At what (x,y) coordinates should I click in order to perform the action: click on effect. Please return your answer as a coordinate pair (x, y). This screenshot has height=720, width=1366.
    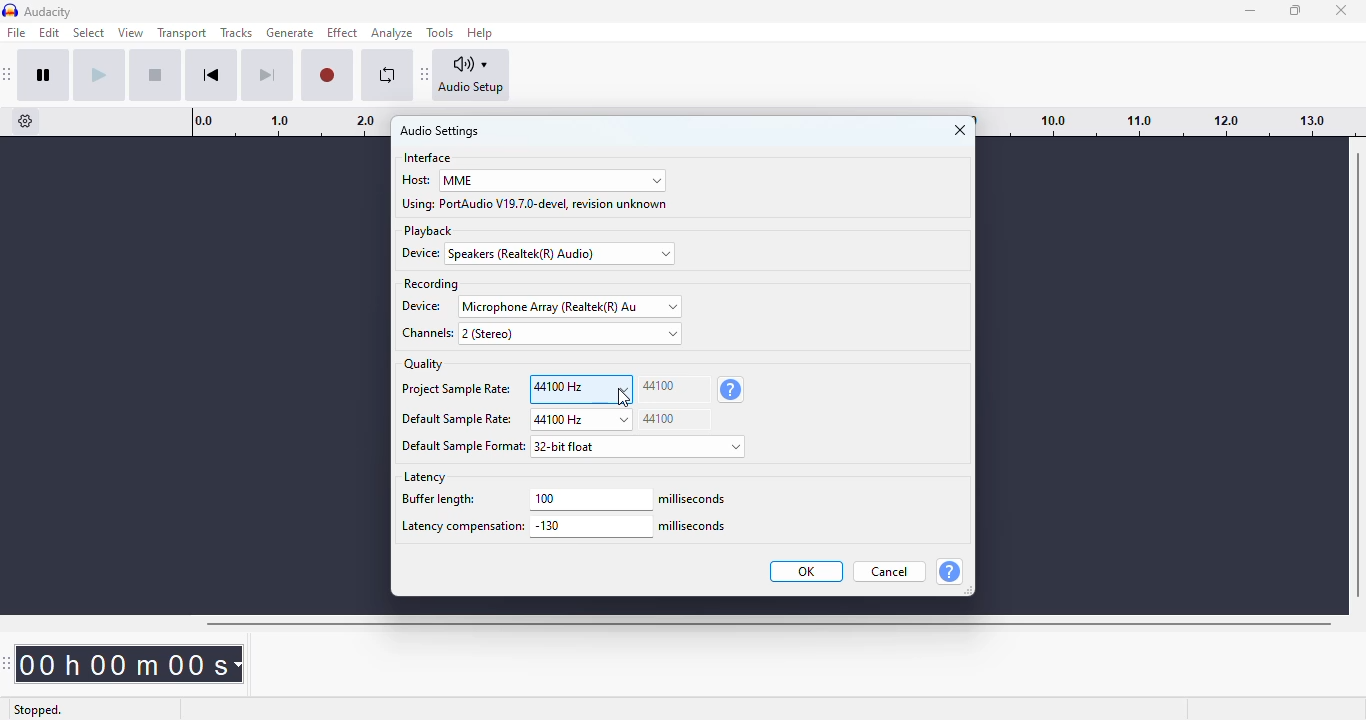
    Looking at the image, I should click on (342, 33).